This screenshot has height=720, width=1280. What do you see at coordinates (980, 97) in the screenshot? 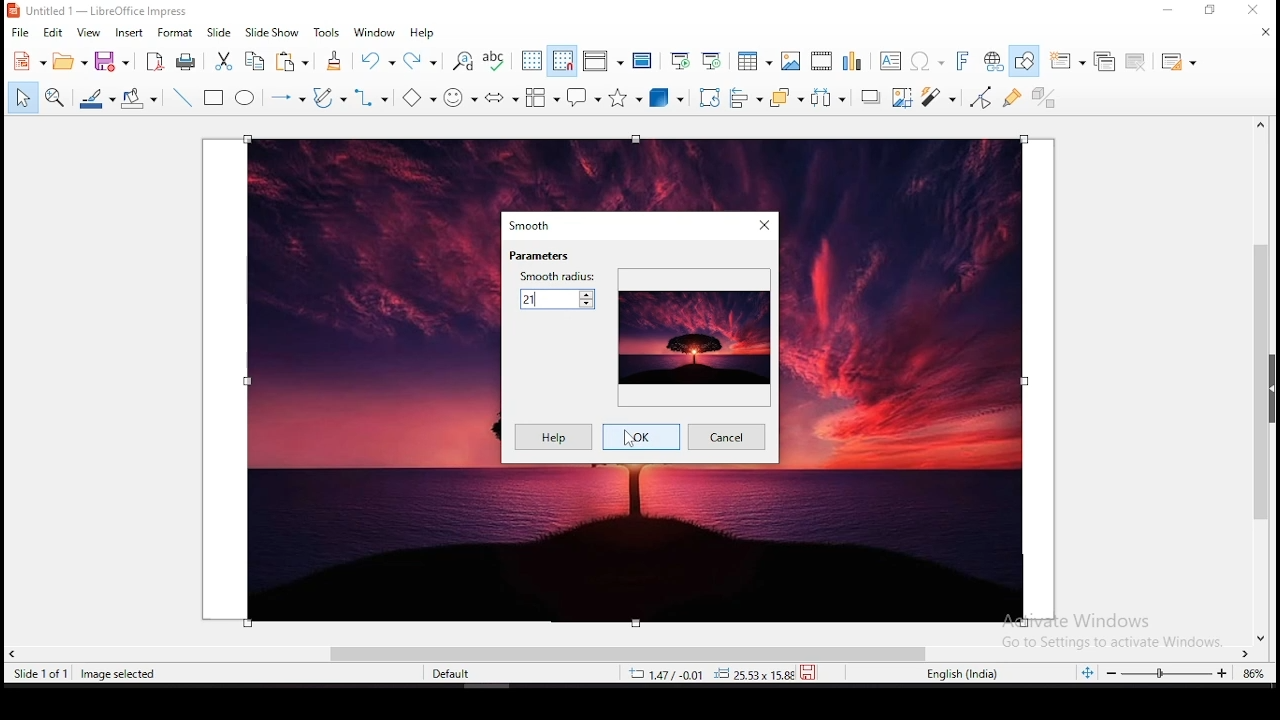
I see `toggle point edit mode` at bounding box center [980, 97].